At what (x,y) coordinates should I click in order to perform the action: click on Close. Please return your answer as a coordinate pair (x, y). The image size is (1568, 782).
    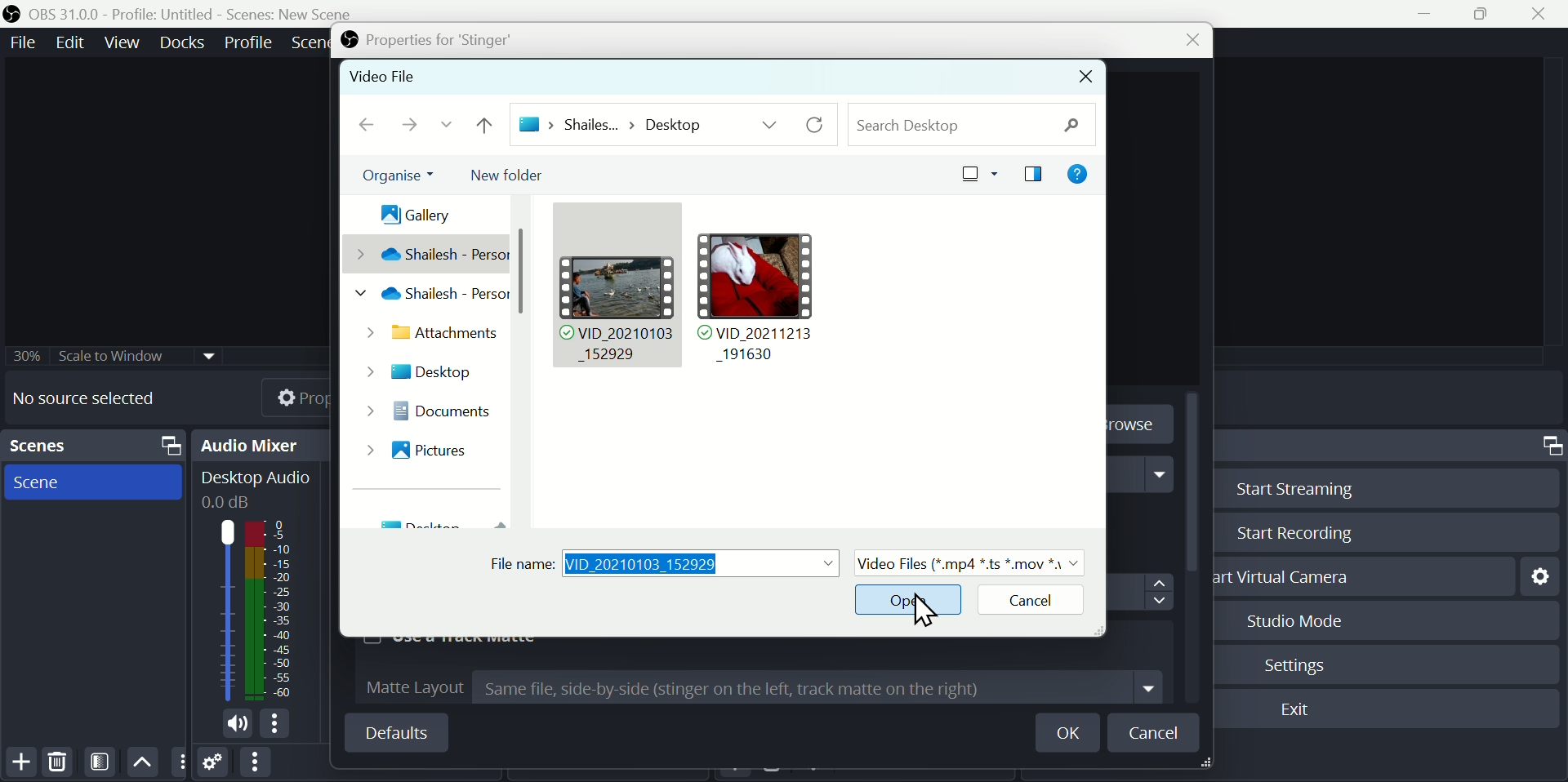
    Looking at the image, I should click on (1086, 78).